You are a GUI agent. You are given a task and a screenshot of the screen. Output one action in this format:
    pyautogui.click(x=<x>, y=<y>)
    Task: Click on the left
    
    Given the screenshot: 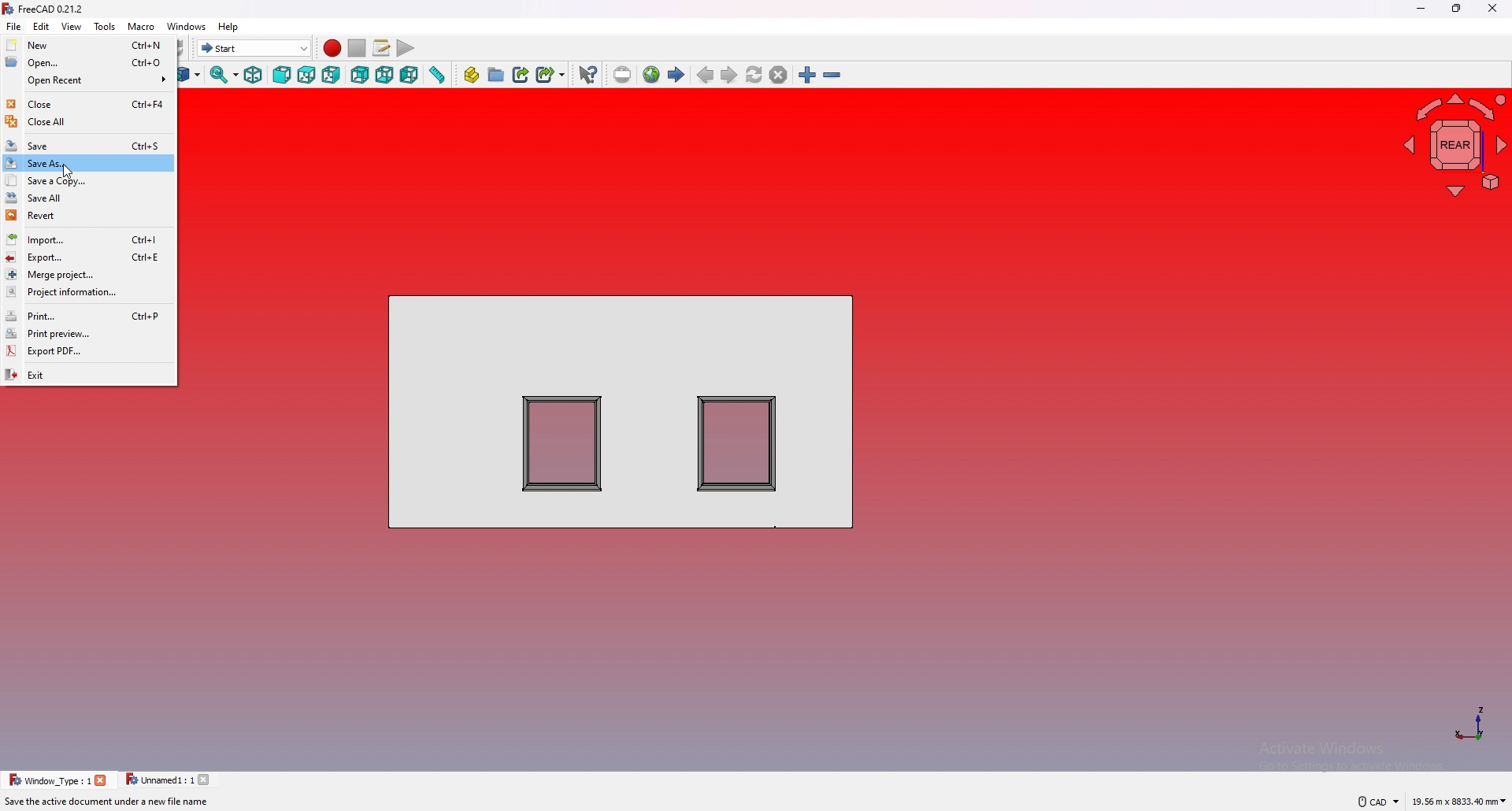 What is the action you would take?
    pyautogui.click(x=409, y=76)
    